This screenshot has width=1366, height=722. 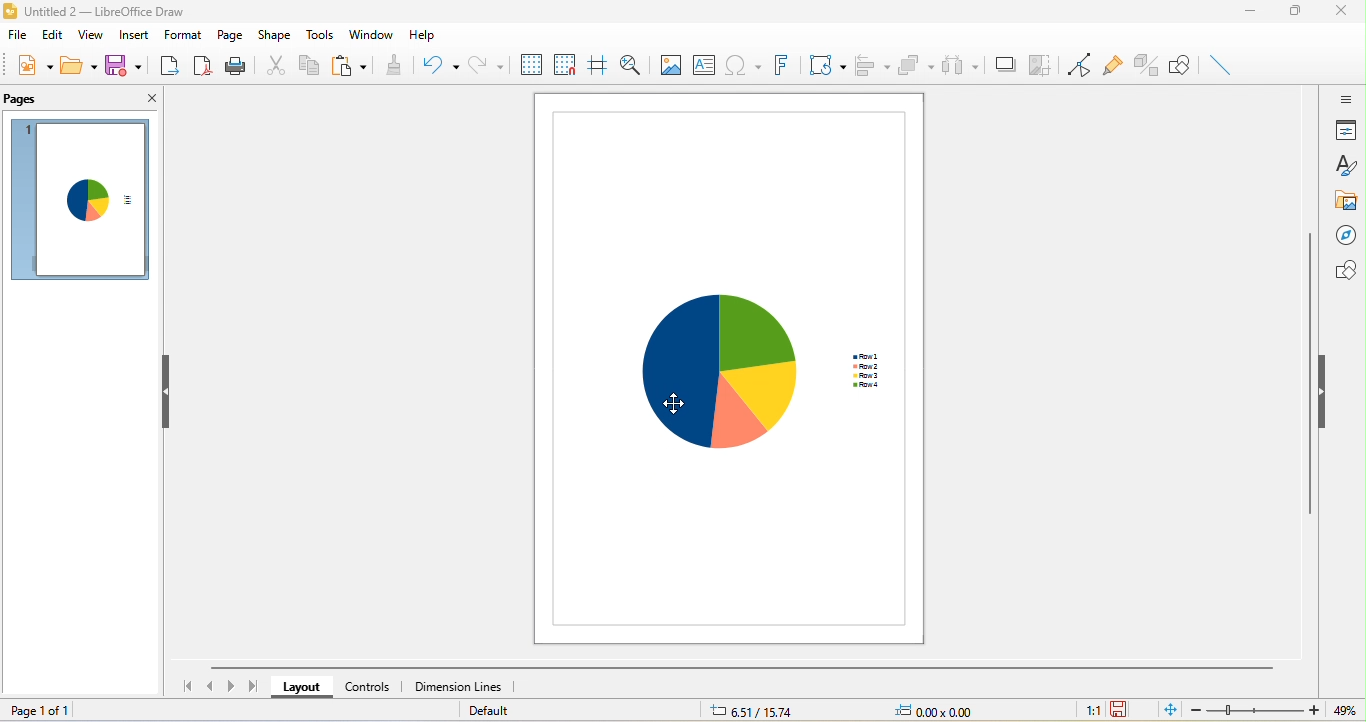 I want to click on tools, so click(x=322, y=36).